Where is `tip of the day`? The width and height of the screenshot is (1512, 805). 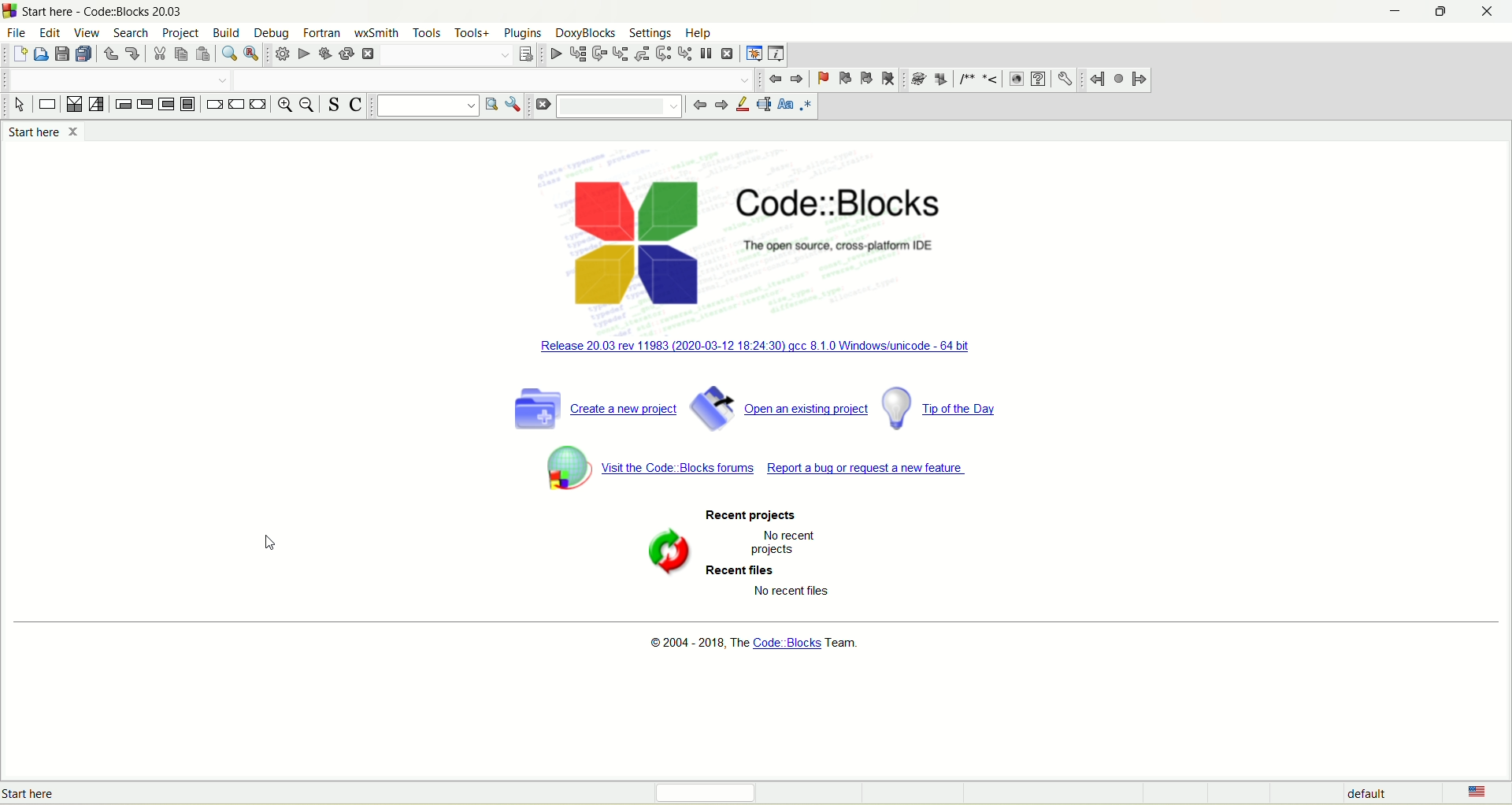
tip of the day is located at coordinates (947, 408).